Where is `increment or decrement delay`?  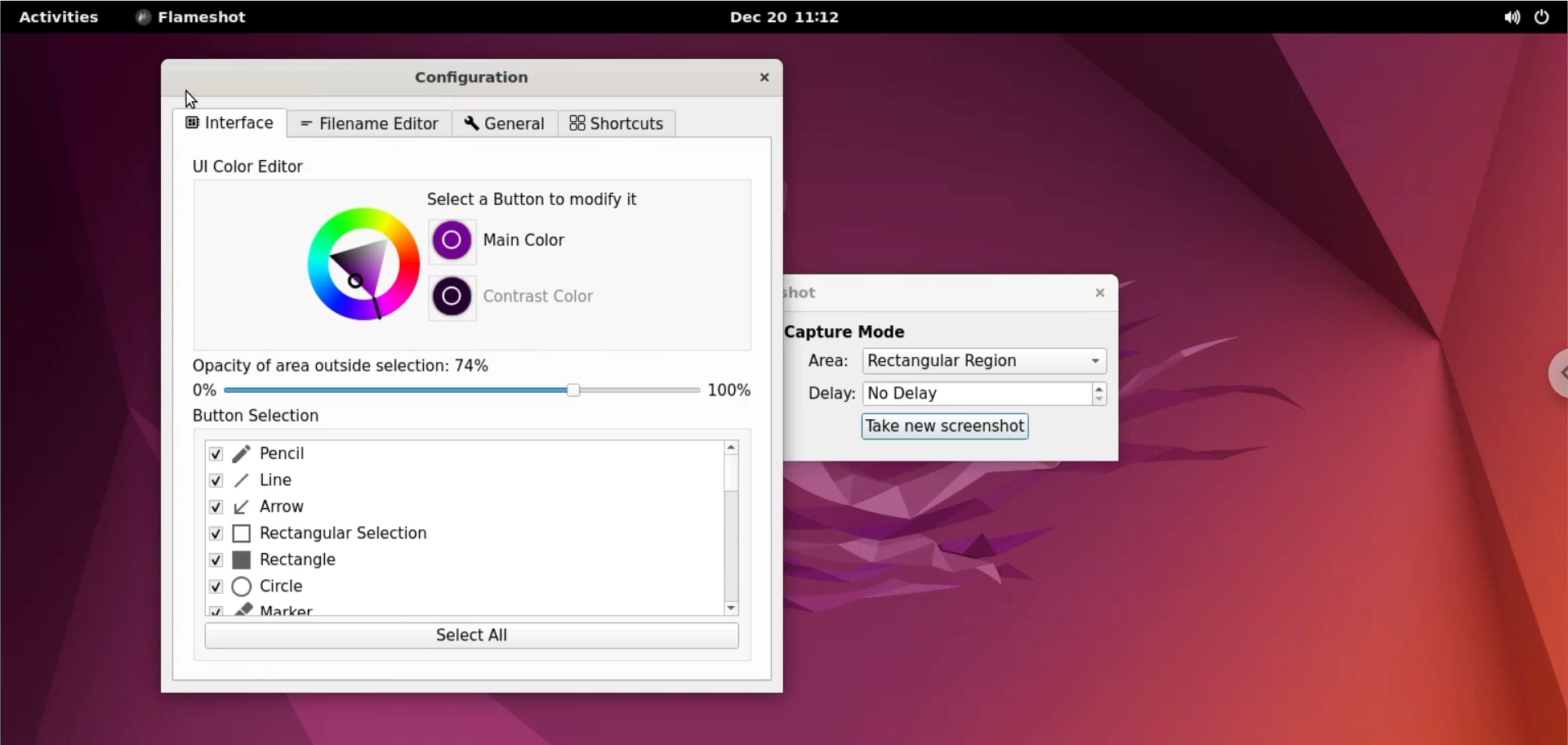
increment or decrement delay is located at coordinates (1102, 395).